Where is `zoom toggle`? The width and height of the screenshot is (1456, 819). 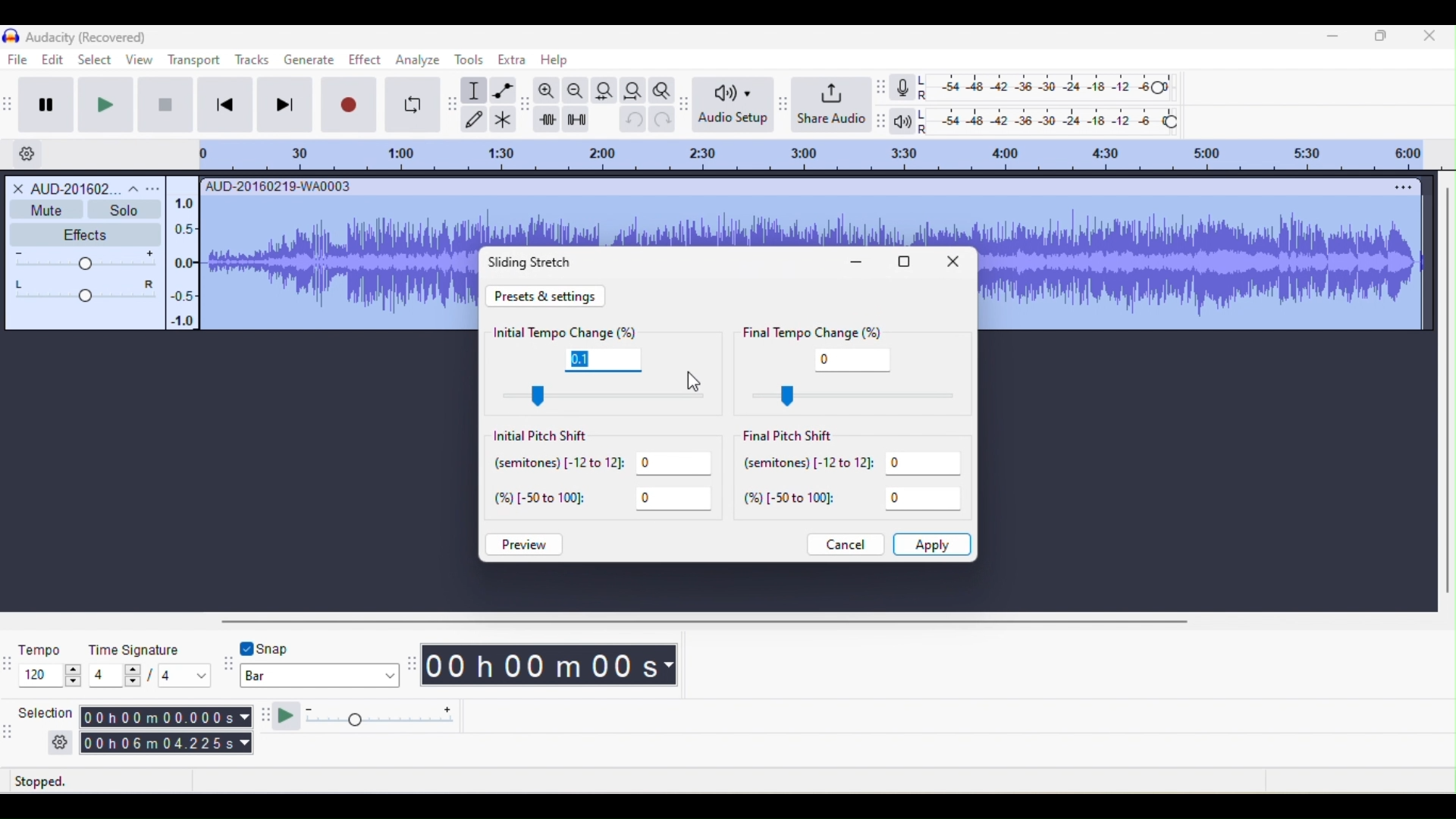 zoom toggle is located at coordinates (662, 89).